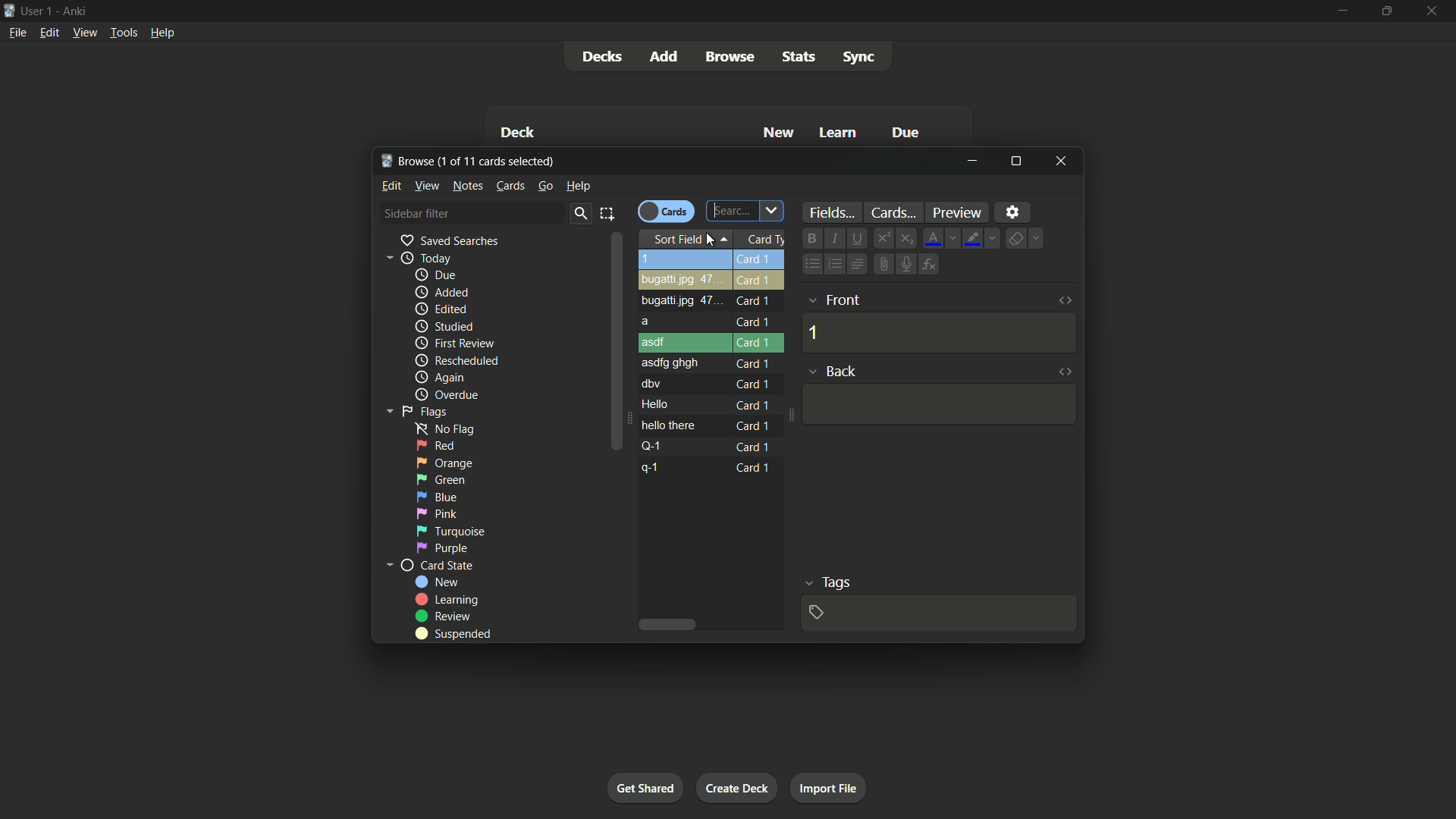 This screenshot has height=819, width=1456. I want to click on a, so click(646, 321).